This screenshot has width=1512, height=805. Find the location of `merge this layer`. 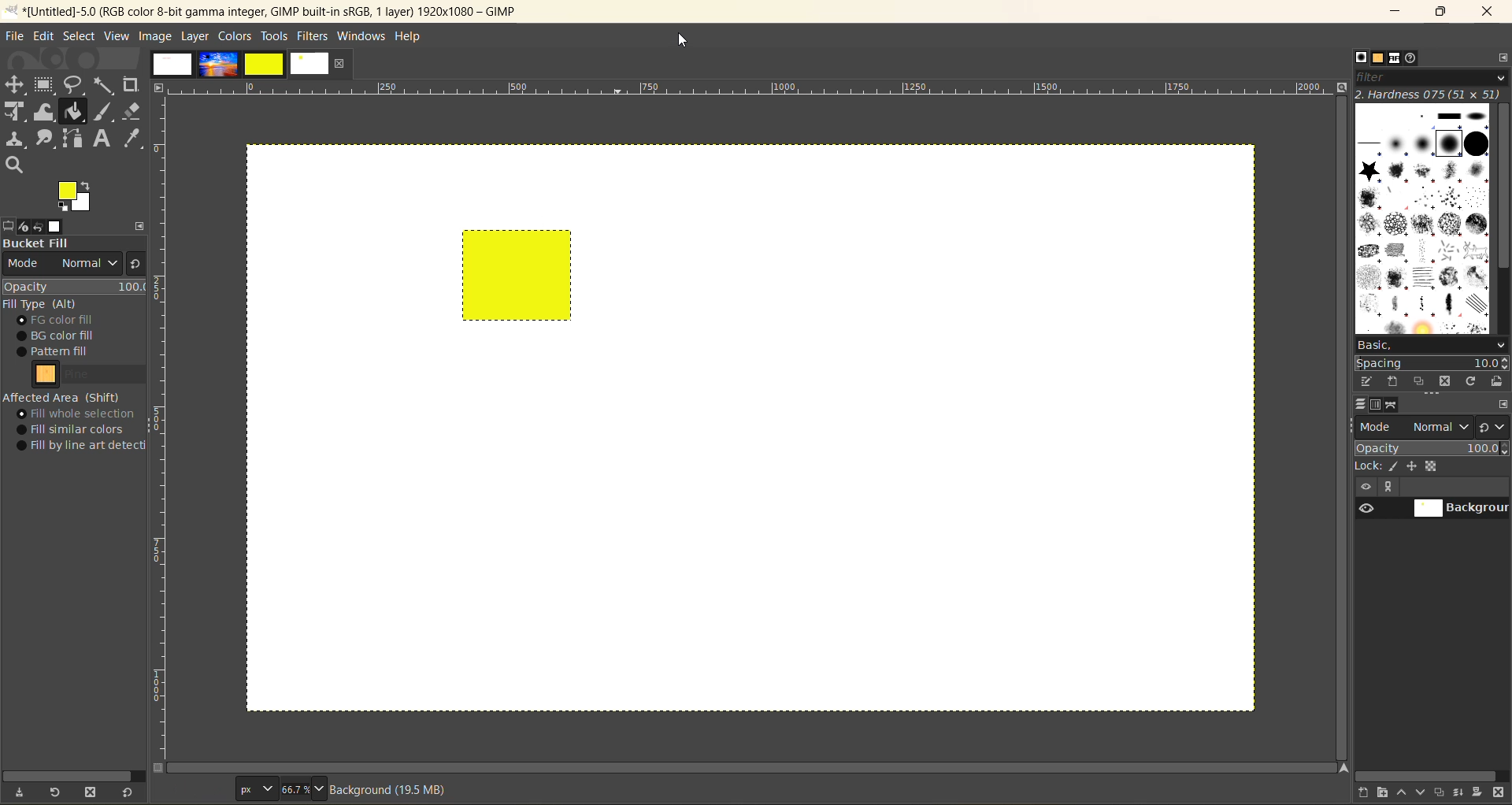

merge this layer is located at coordinates (1463, 792).